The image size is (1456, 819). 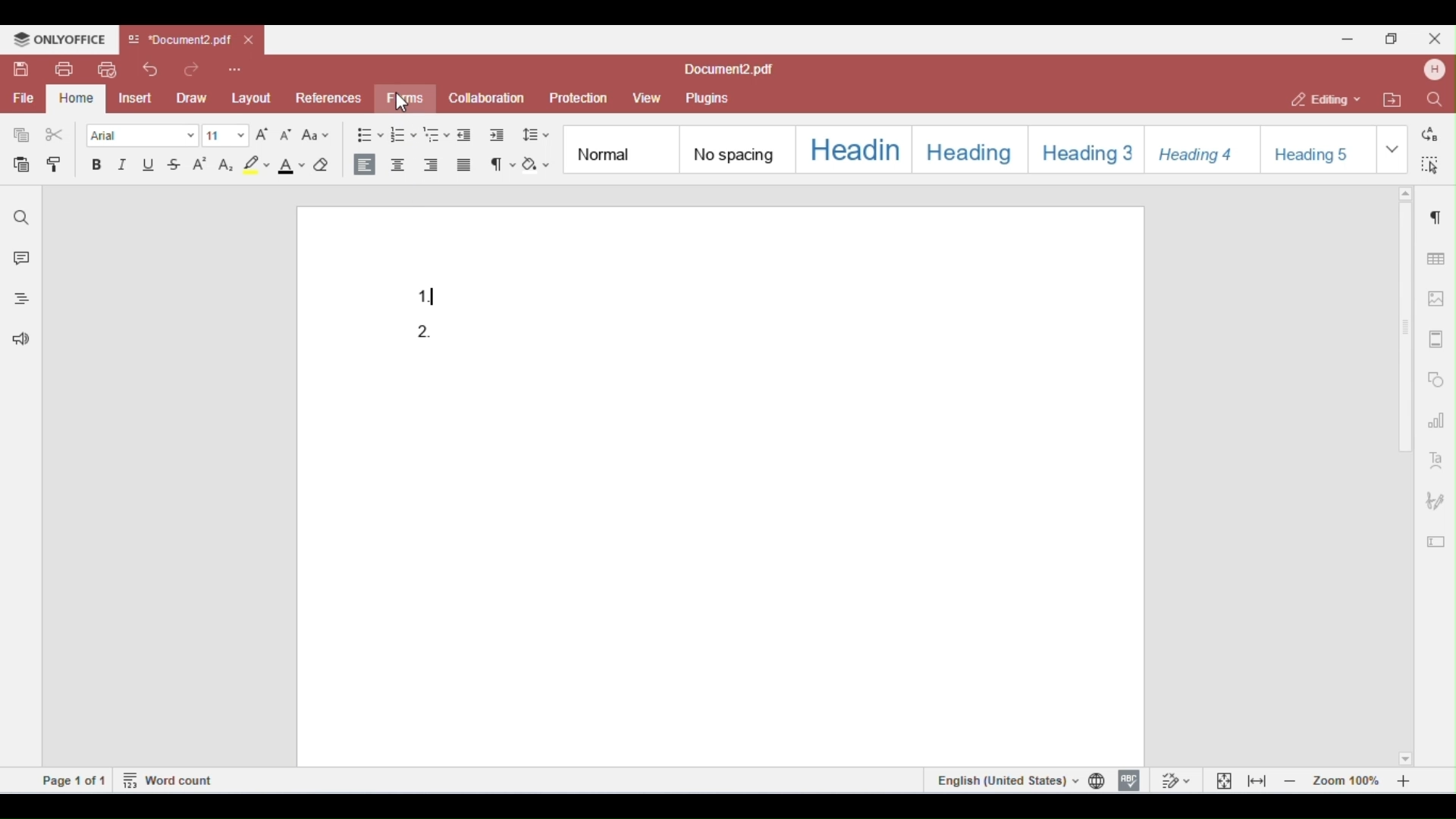 I want to click on feedback and support, so click(x=17, y=341).